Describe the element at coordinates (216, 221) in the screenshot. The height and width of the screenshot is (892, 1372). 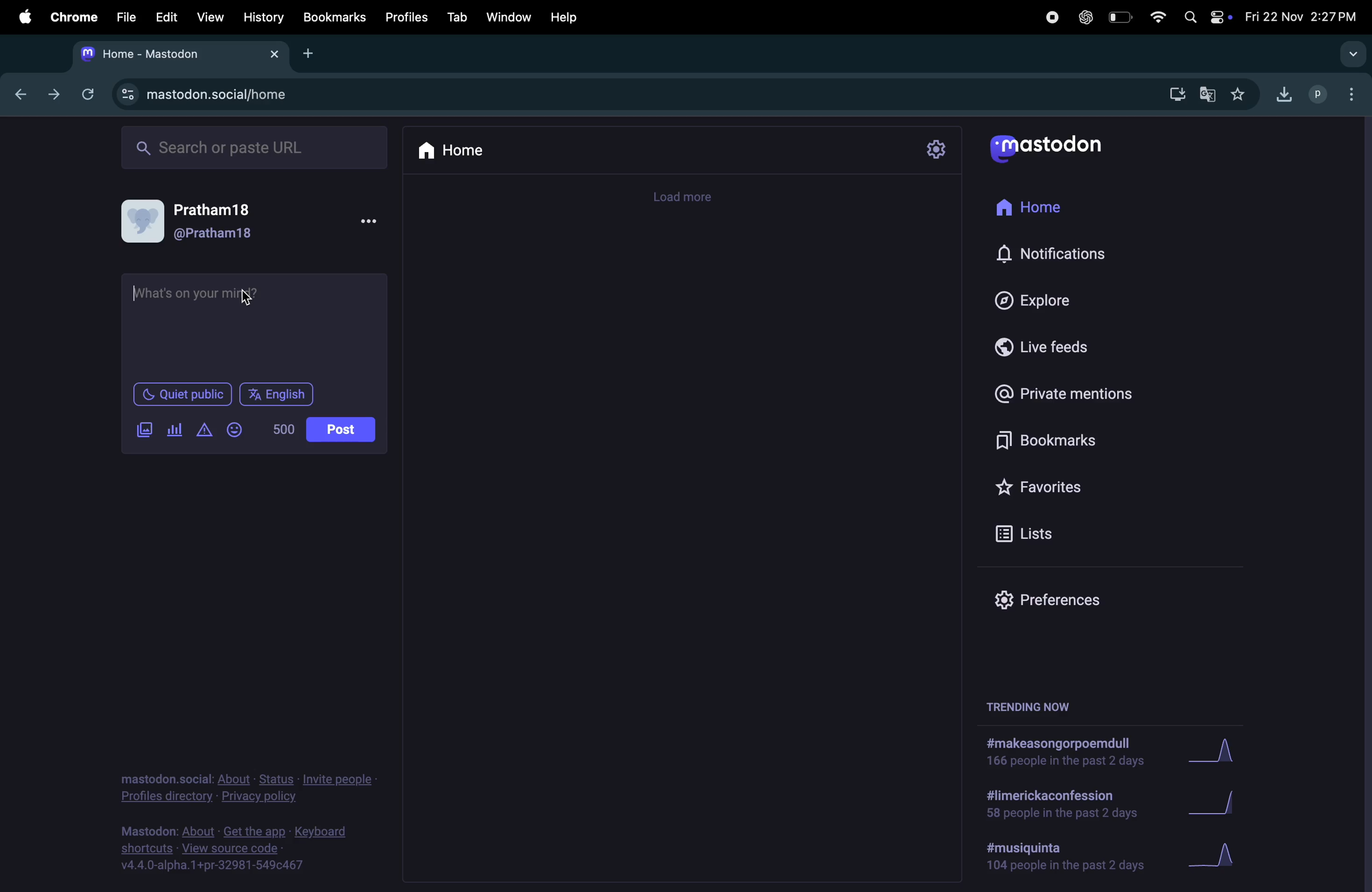
I see `username` at that location.